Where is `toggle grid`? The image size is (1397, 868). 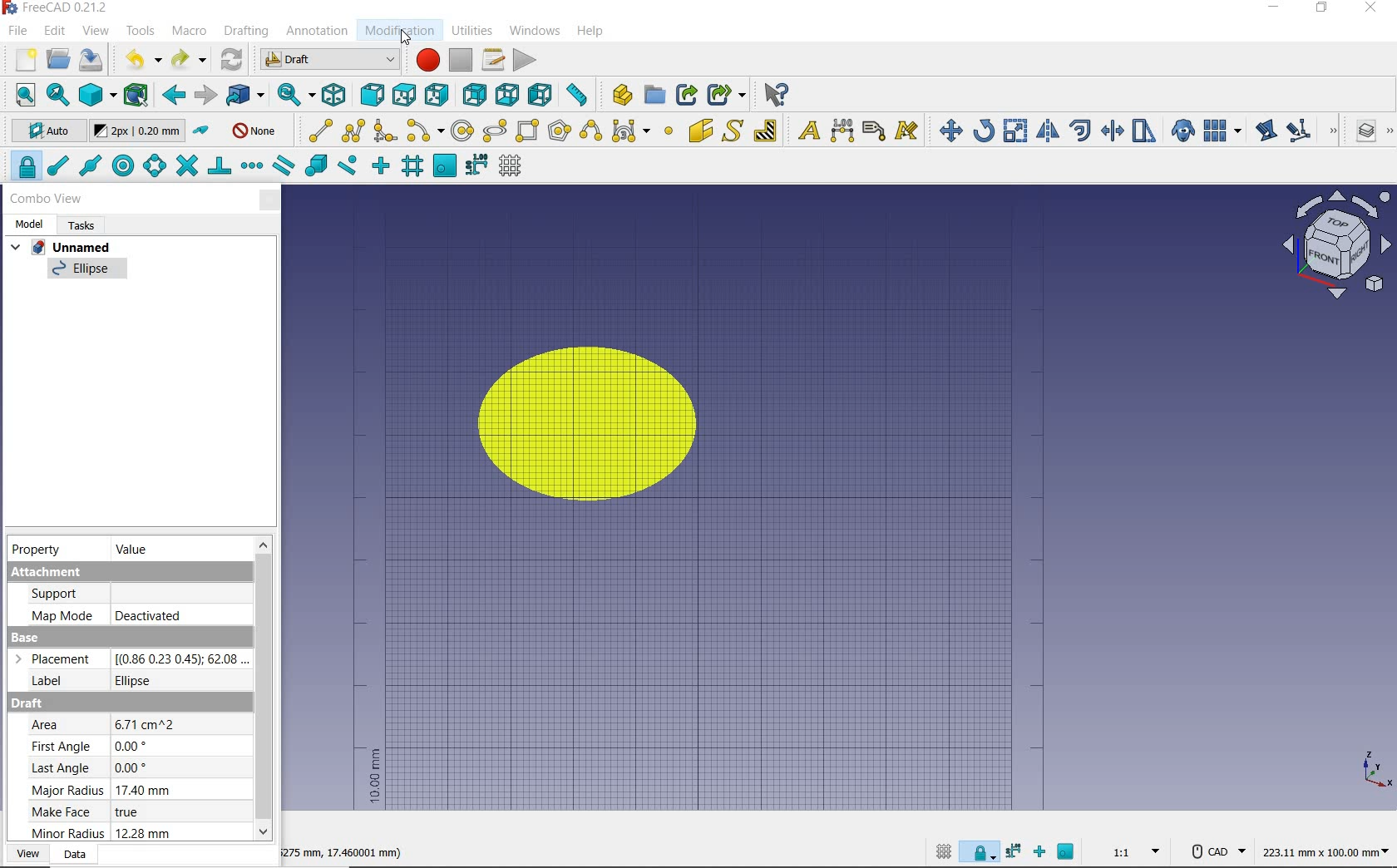 toggle grid is located at coordinates (515, 165).